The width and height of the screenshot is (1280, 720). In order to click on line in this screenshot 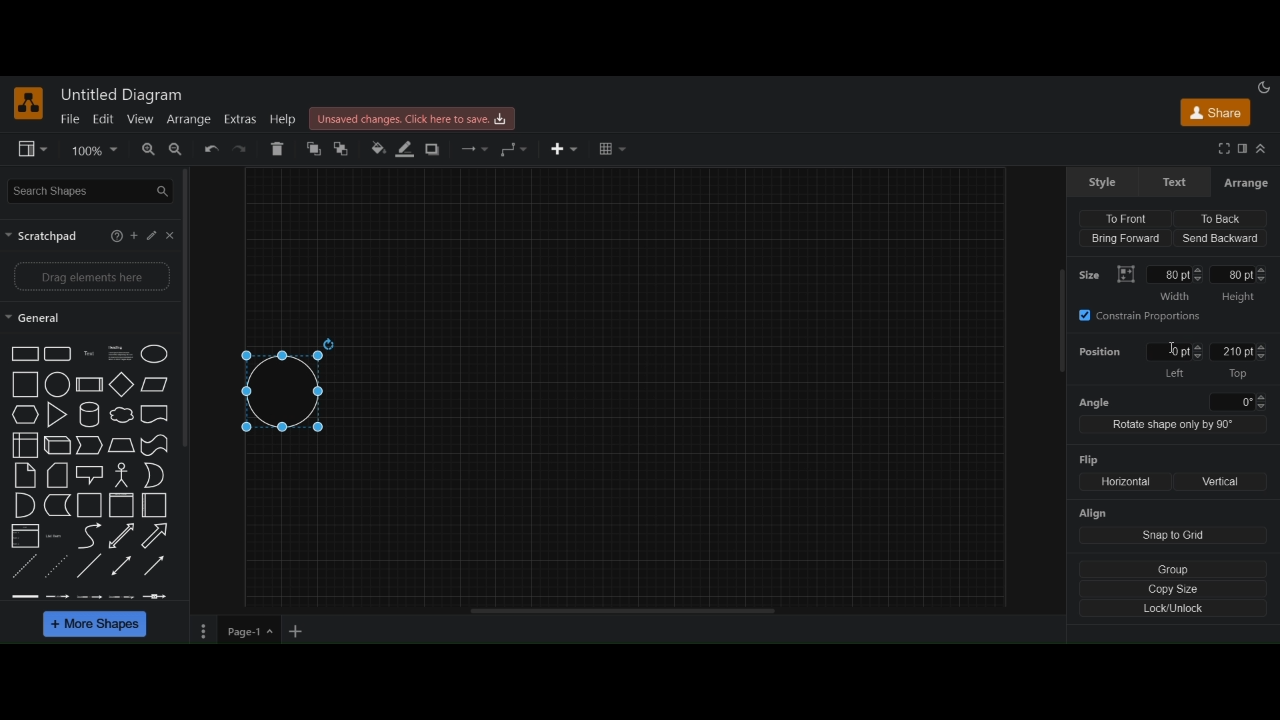, I will do `click(89, 565)`.